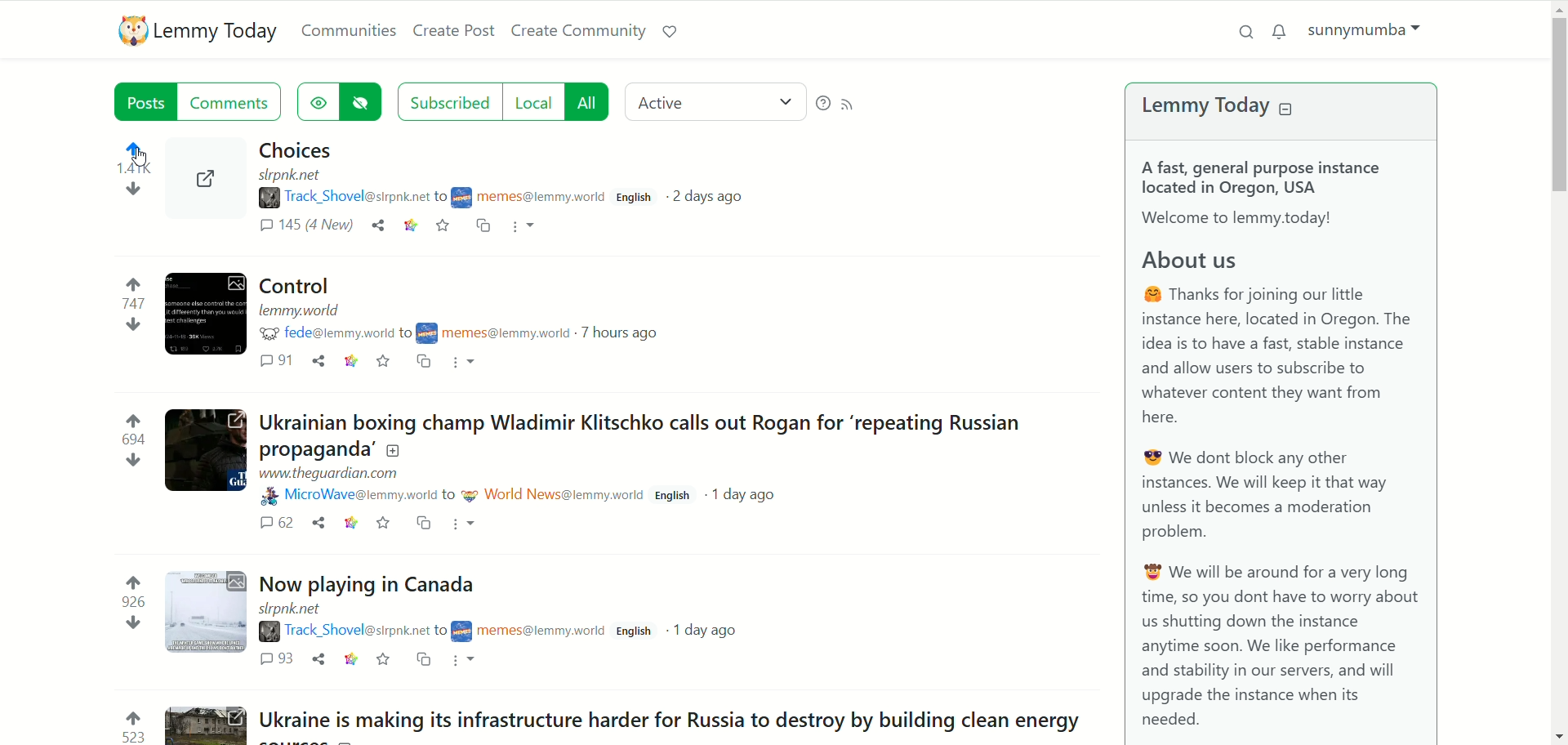 Image resolution: width=1568 pixels, height=745 pixels. What do you see at coordinates (133, 623) in the screenshot?
I see `down vote` at bounding box center [133, 623].